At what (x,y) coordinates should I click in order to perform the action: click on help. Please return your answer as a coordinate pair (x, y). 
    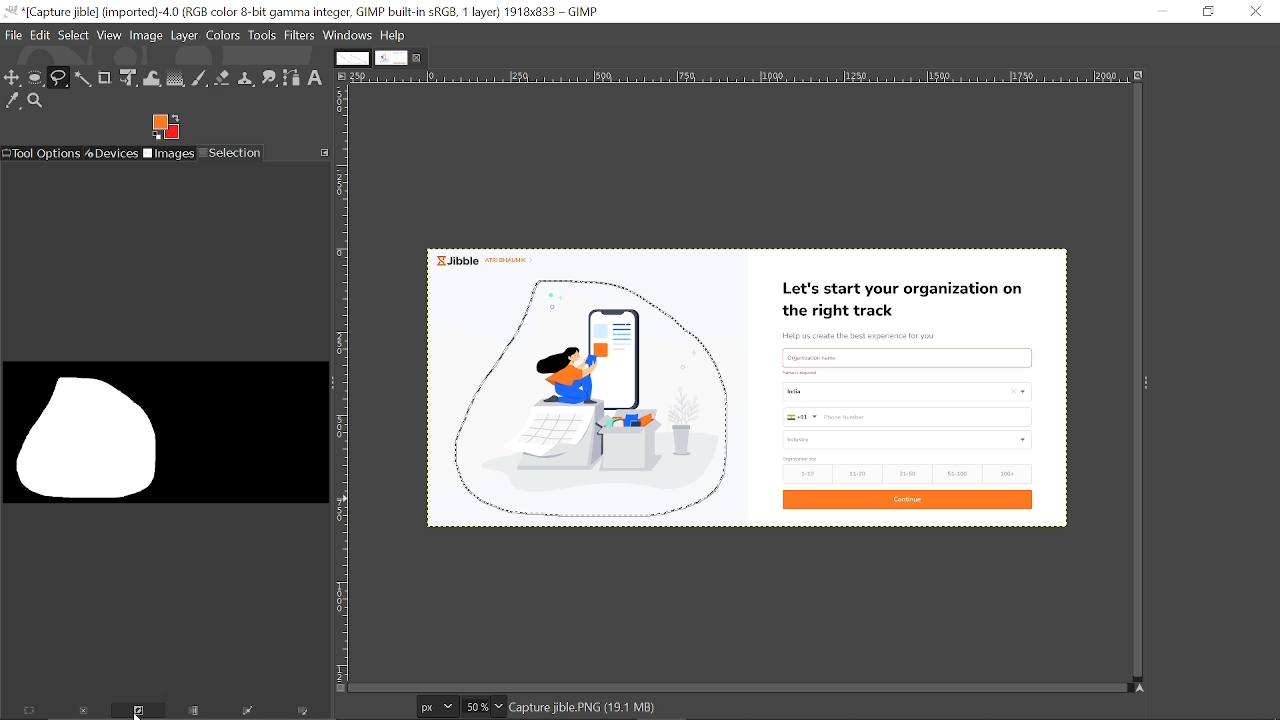
    Looking at the image, I should click on (394, 35).